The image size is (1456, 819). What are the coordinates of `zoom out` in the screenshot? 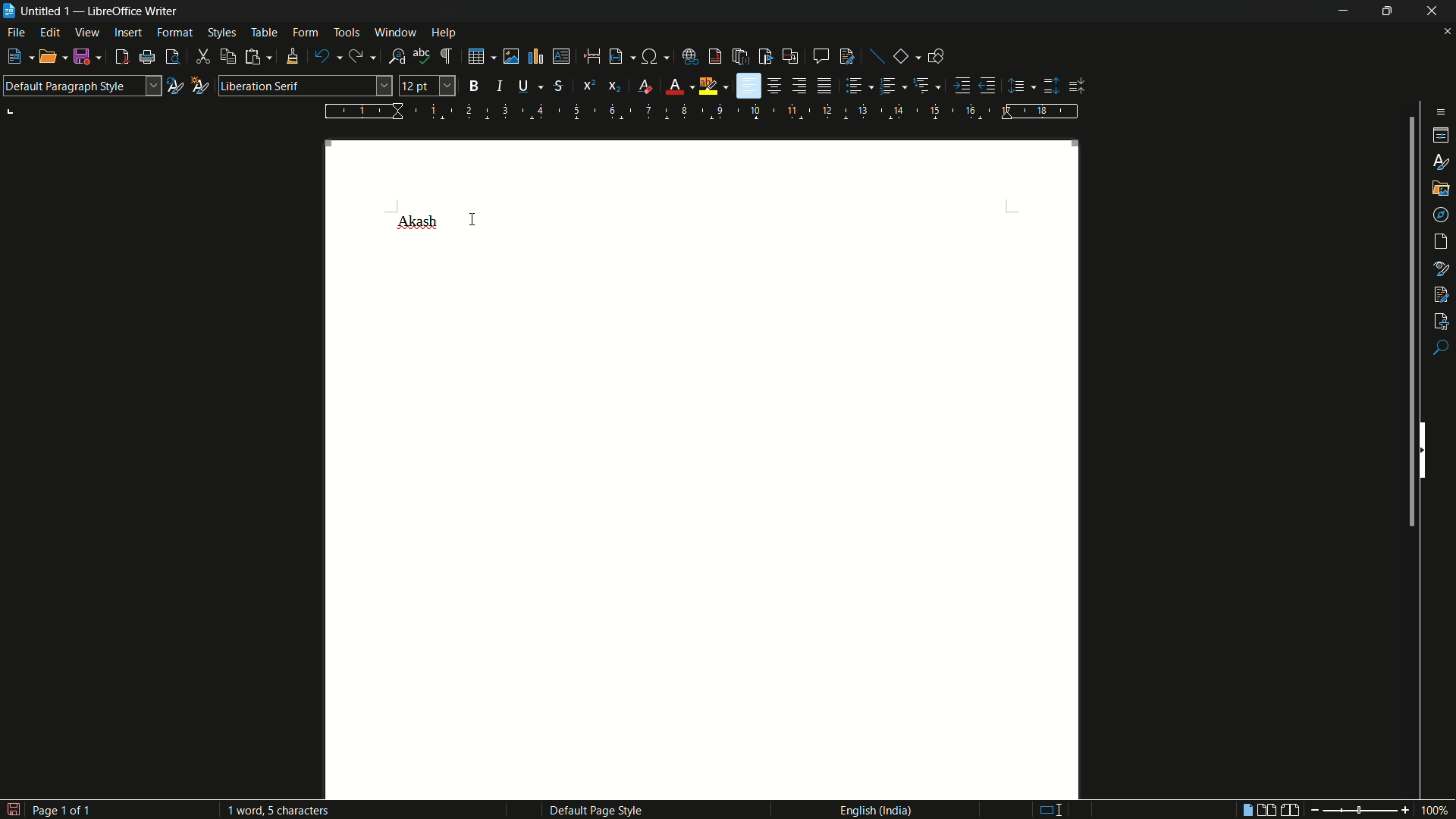 It's located at (1311, 810).